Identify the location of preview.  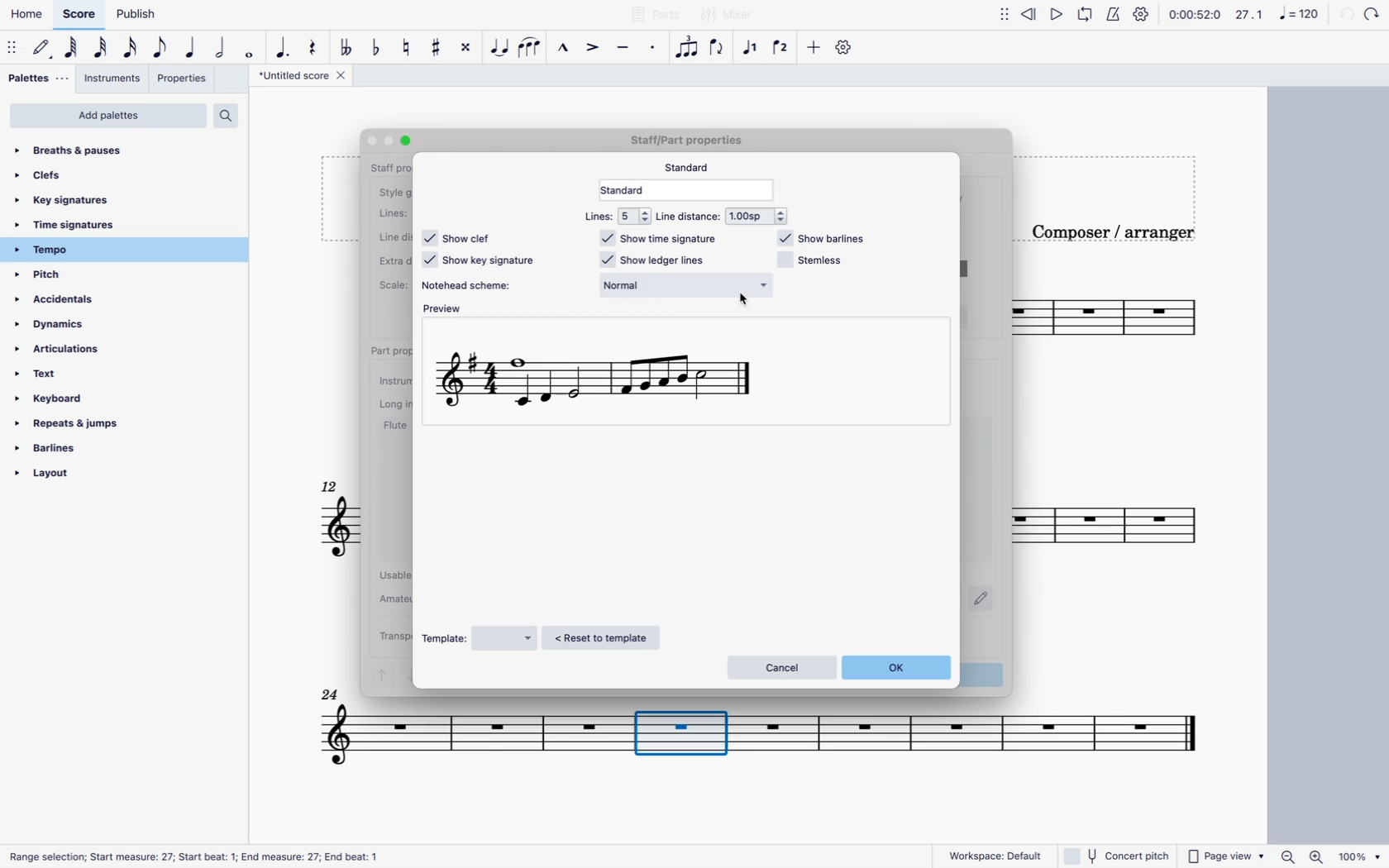
(445, 311).